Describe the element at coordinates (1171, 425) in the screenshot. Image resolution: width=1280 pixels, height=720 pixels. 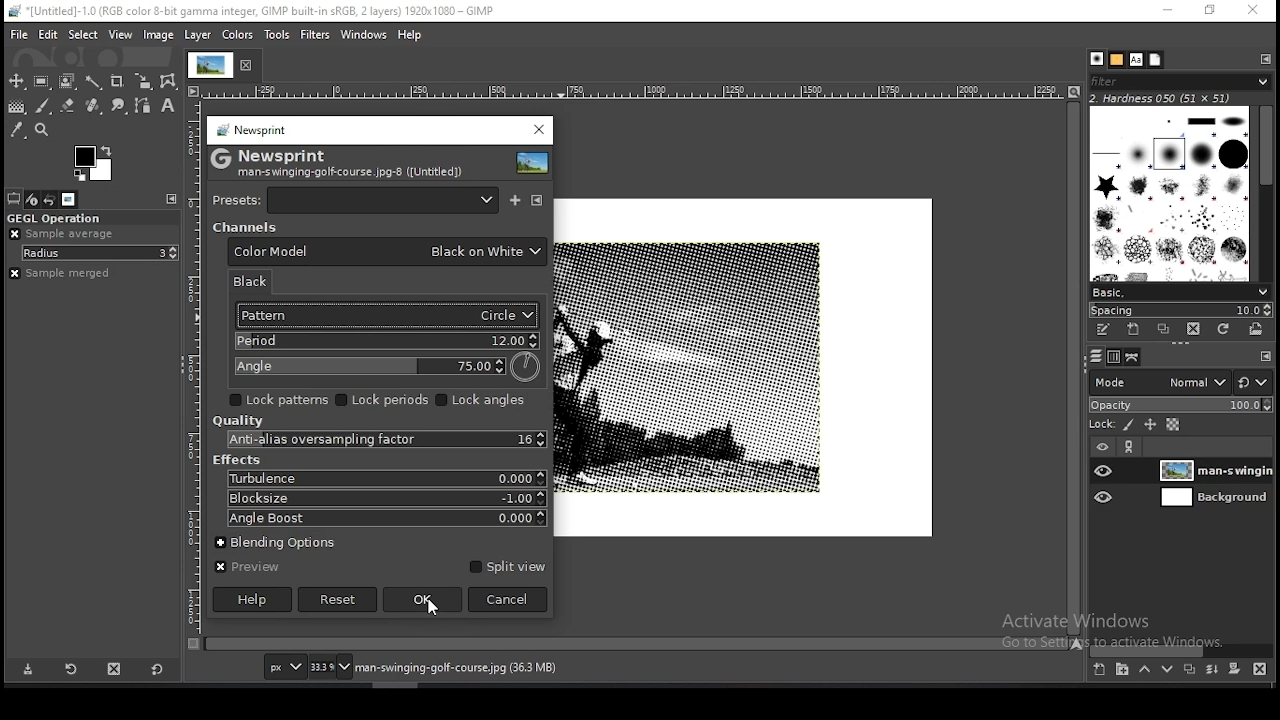
I see `lock alpha channel` at that location.